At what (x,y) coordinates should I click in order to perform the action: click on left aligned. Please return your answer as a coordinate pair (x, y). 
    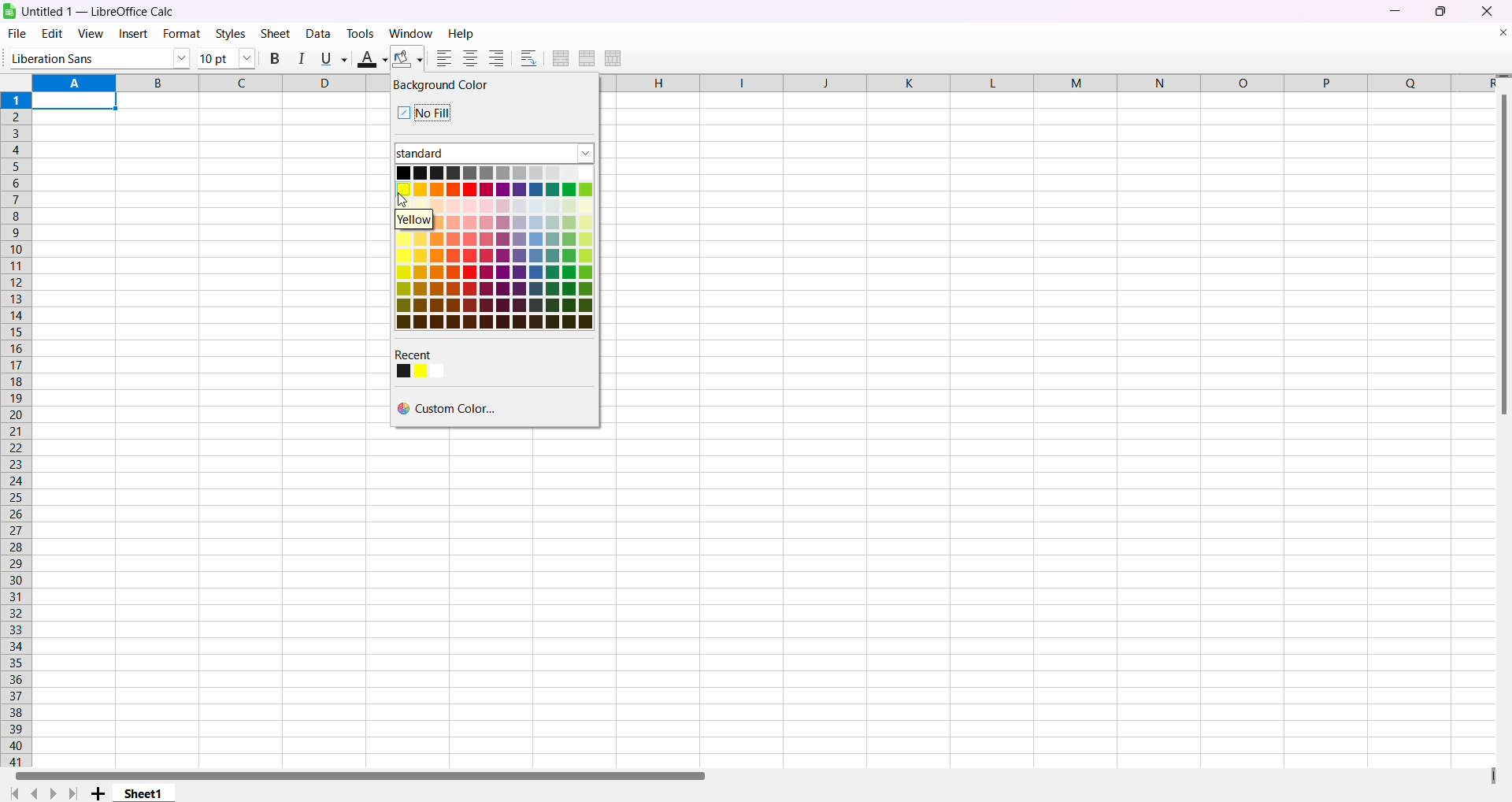
    Looking at the image, I should click on (443, 59).